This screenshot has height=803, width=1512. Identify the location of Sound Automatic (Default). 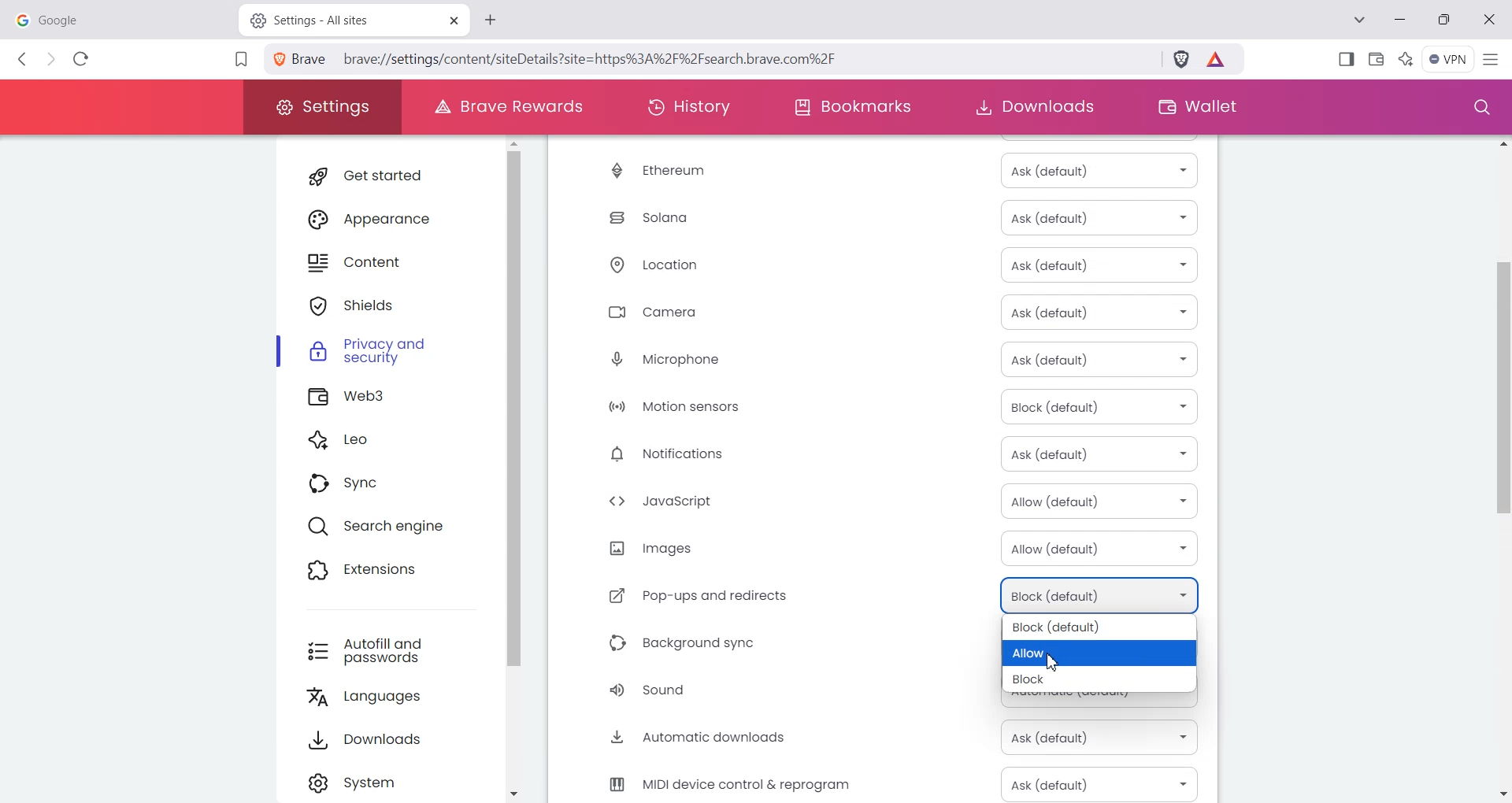
(772, 691).